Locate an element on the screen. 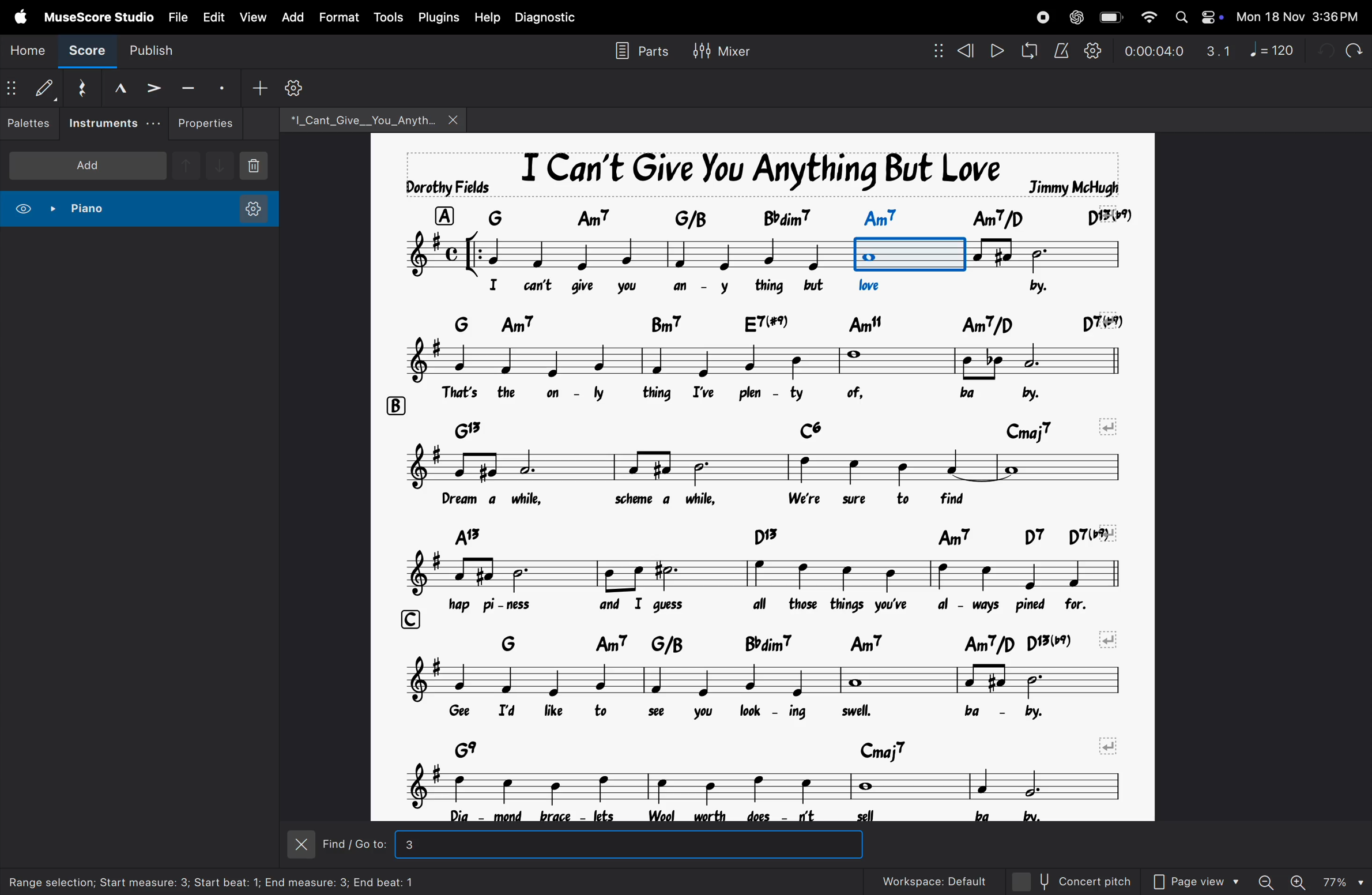 This screenshot has width=1372, height=895. battery is located at coordinates (1109, 17).